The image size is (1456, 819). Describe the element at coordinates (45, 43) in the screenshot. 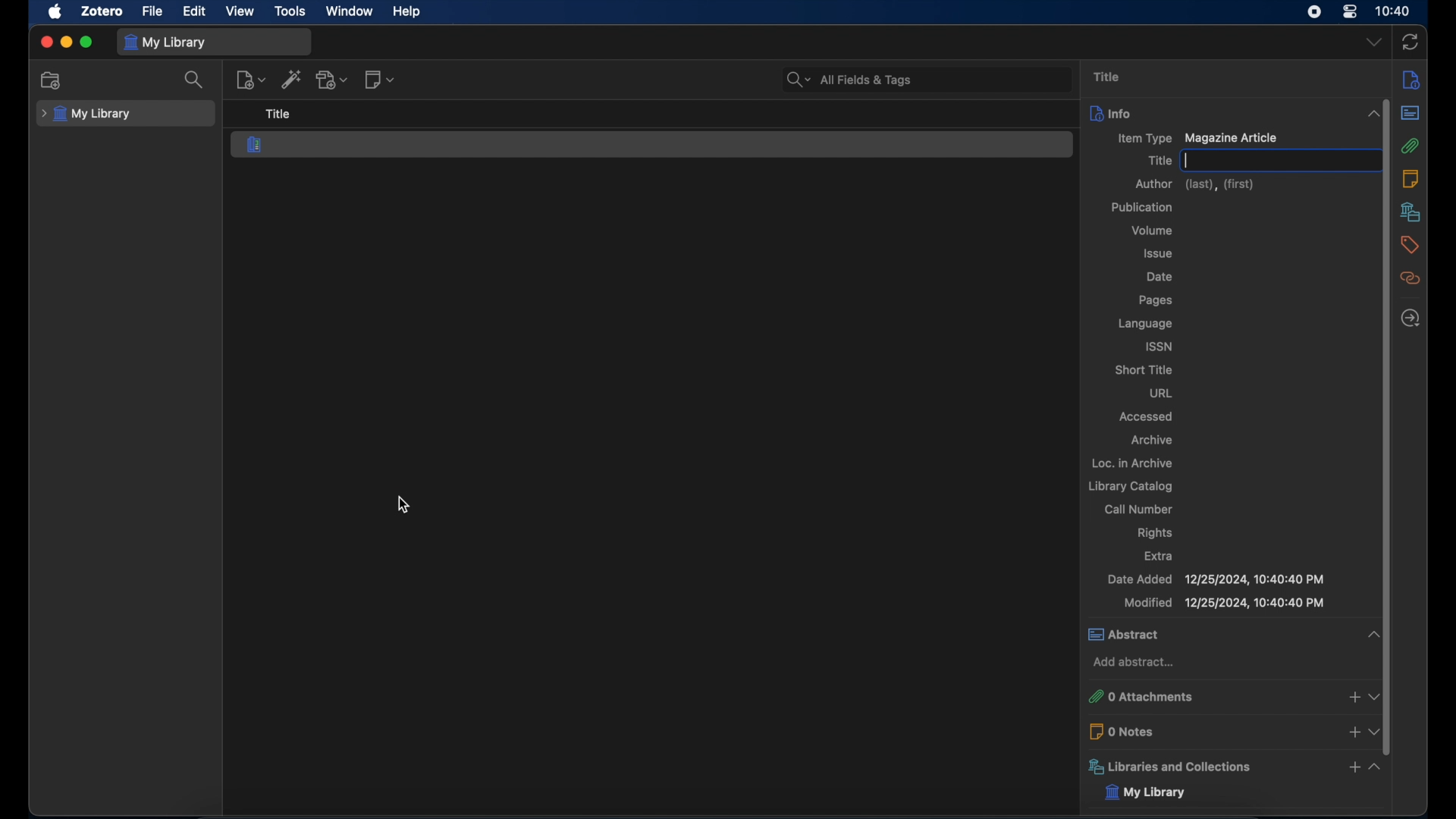

I see `close` at that location.